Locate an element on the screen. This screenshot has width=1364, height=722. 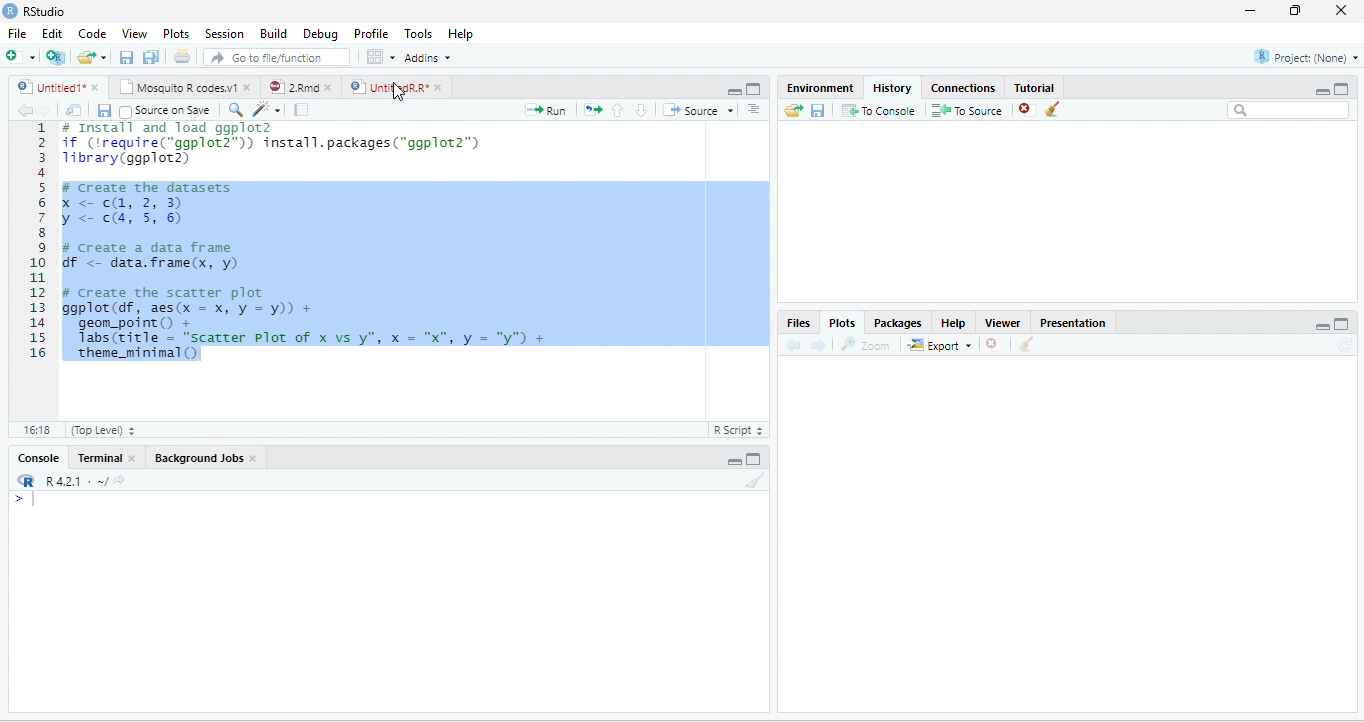
Build is located at coordinates (272, 32).